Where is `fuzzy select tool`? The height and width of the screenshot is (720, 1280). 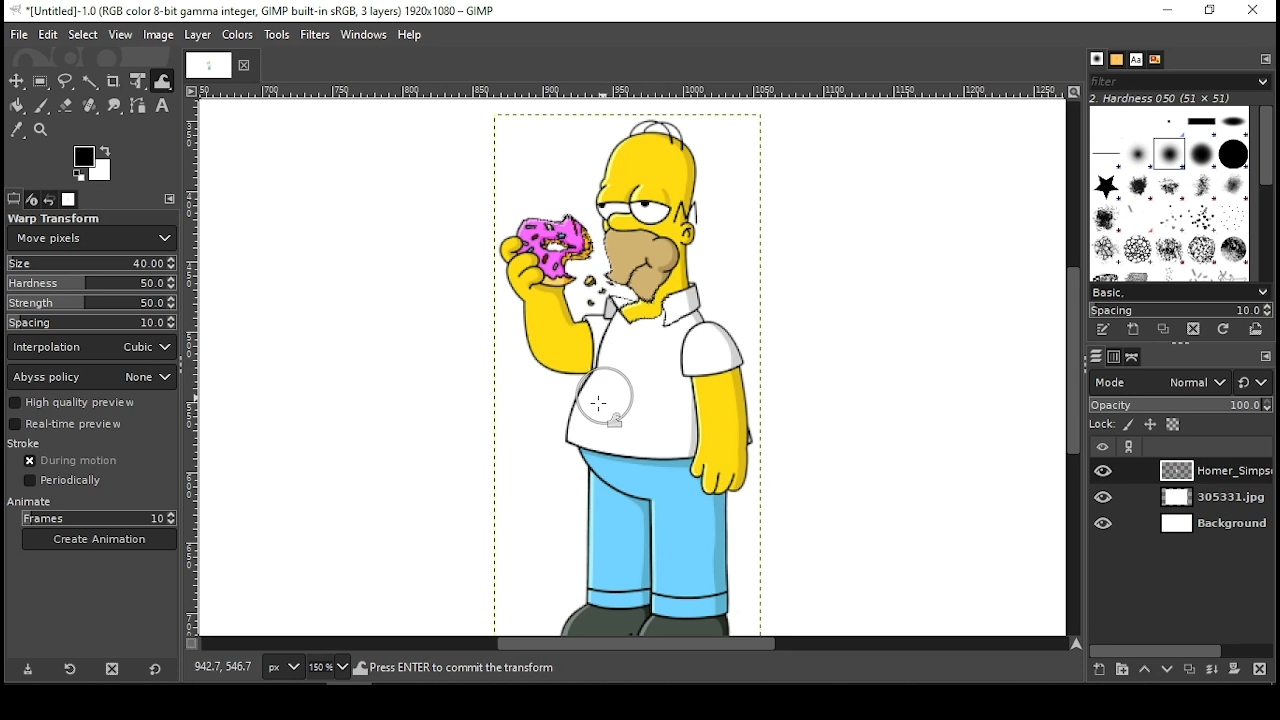 fuzzy select tool is located at coordinates (91, 81).